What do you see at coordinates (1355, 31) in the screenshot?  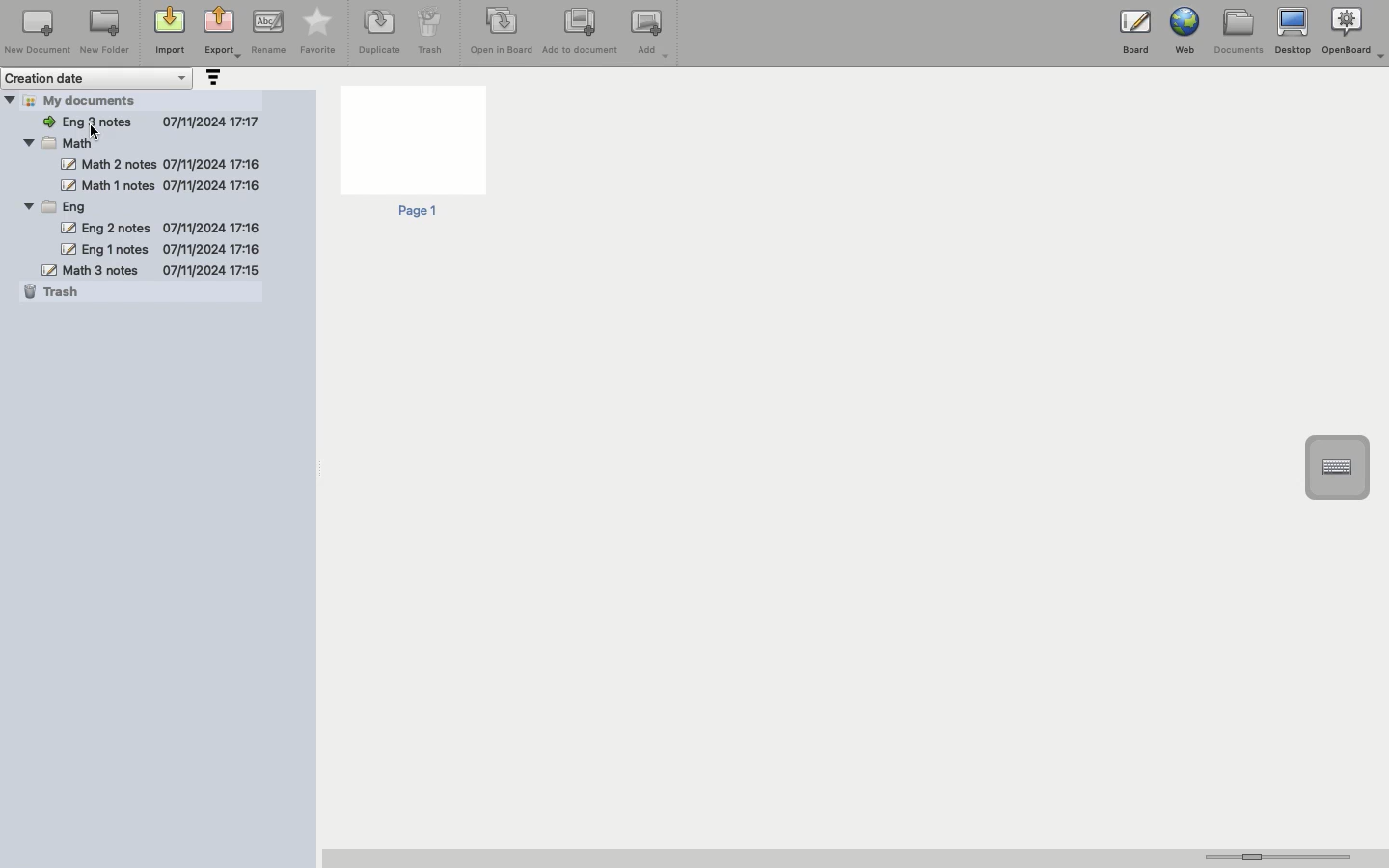 I see `OpenBoard` at bounding box center [1355, 31].